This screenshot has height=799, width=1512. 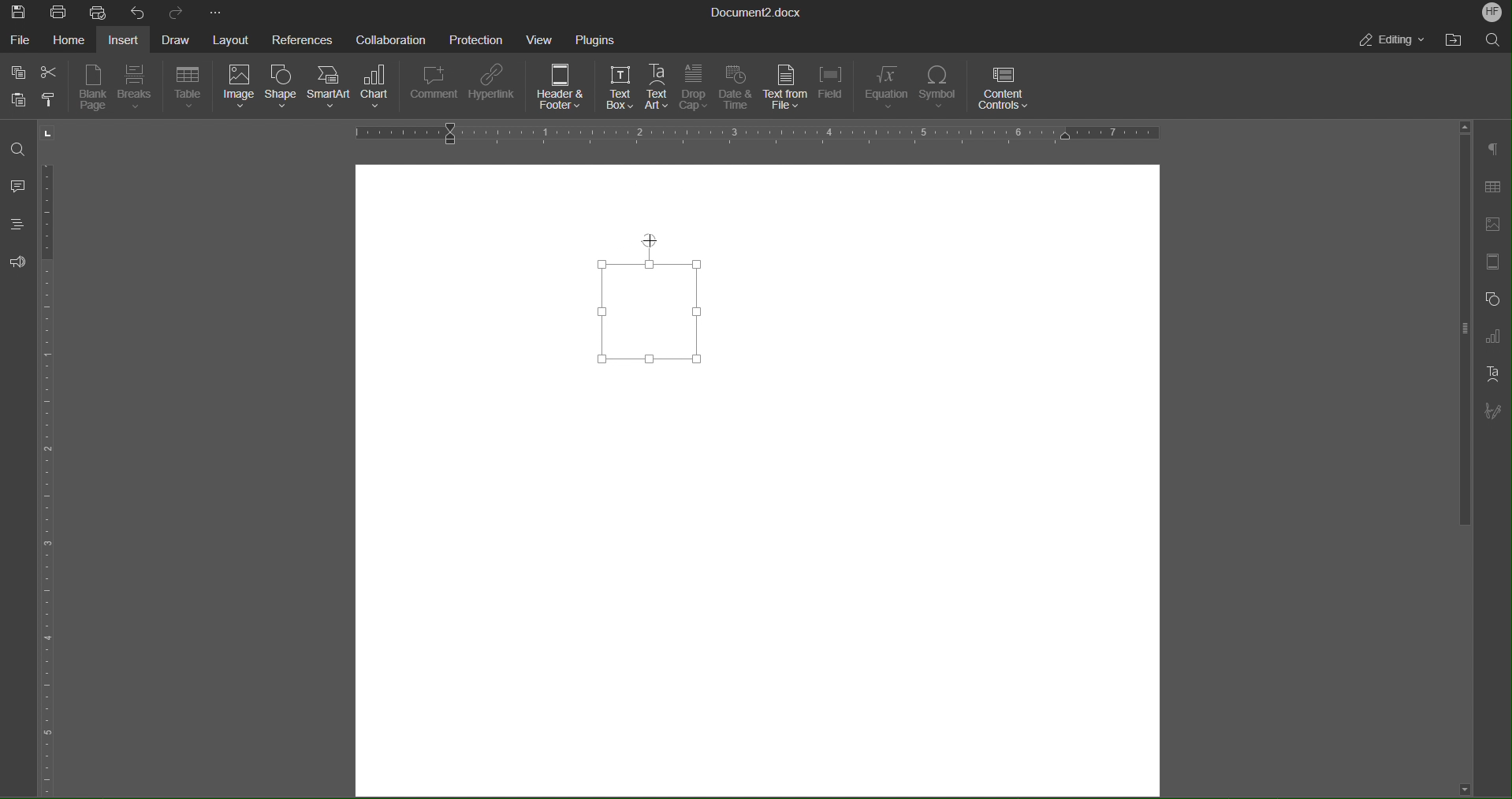 What do you see at coordinates (886, 87) in the screenshot?
I see `Equation` at bounding box center [886, 87].